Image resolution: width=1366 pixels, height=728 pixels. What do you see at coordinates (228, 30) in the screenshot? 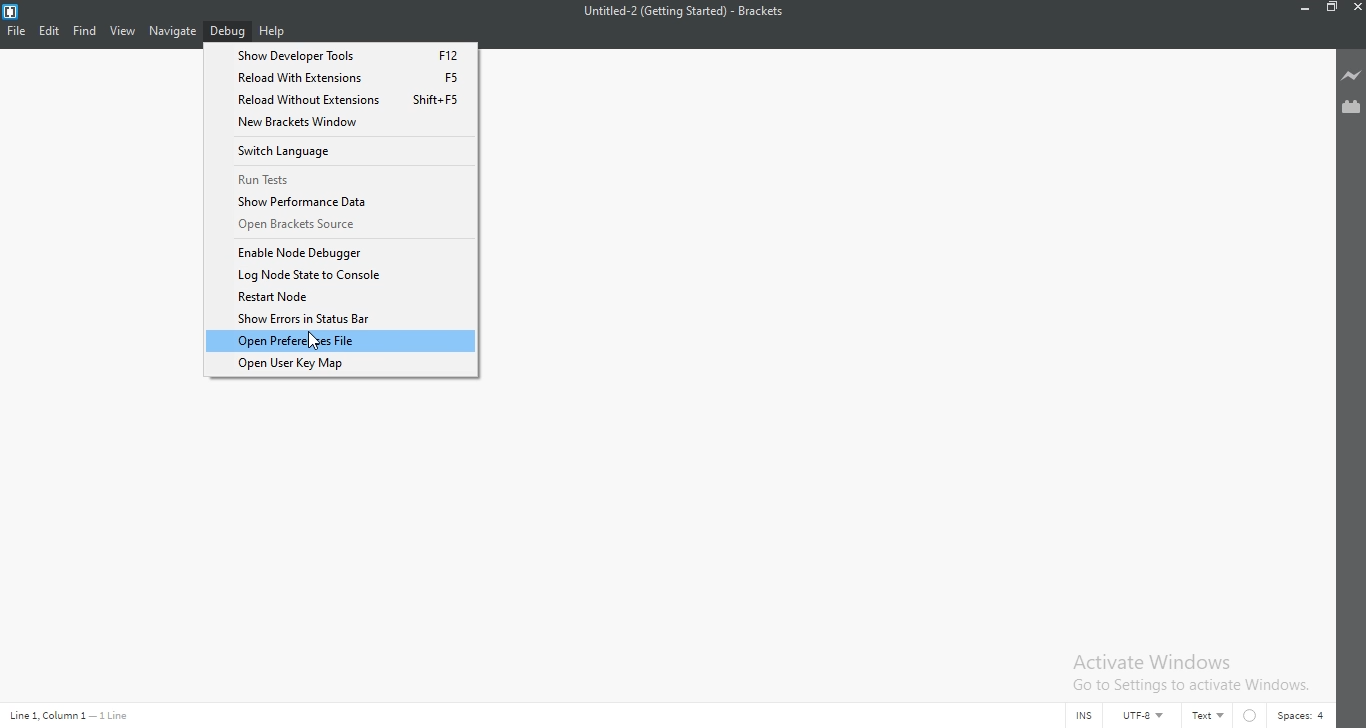
I see `debug` at bounding box center [228, 30].